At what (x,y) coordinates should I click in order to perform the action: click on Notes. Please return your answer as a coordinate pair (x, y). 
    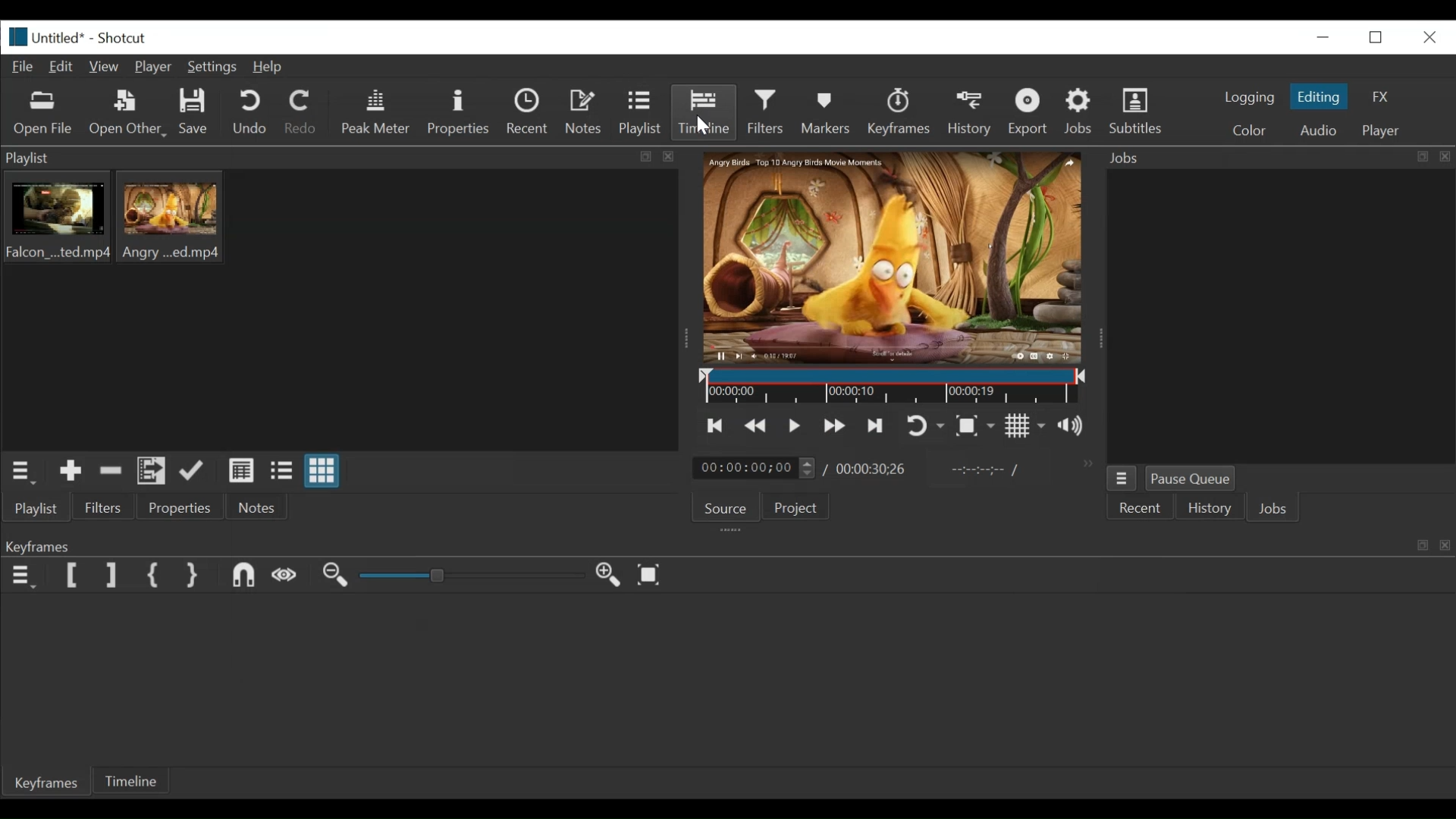
    Looking at the image, I should click on (257, 507).